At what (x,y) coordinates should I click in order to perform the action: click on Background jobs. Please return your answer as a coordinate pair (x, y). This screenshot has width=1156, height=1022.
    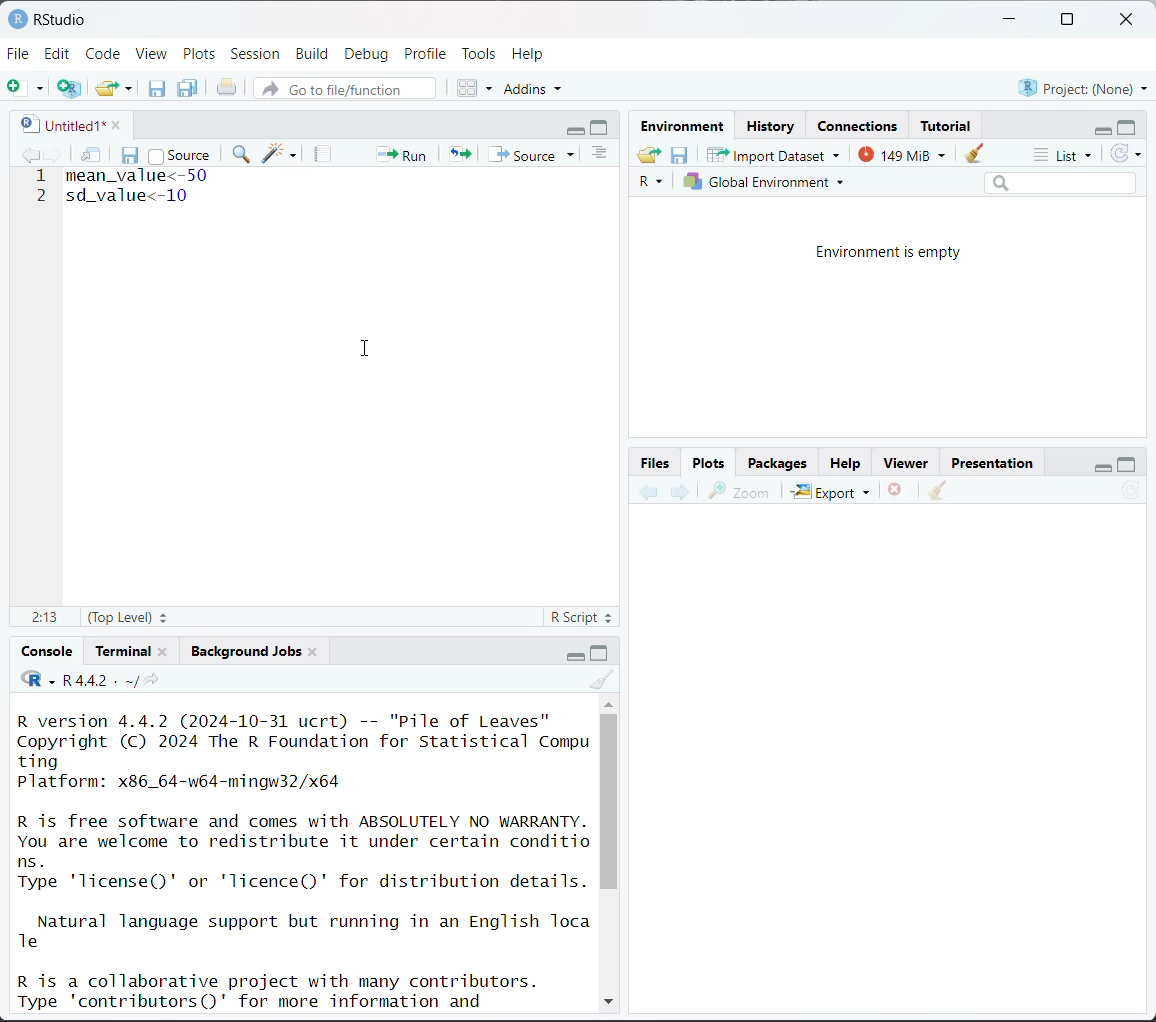
    Looking at the image, I should click on (246, 651).